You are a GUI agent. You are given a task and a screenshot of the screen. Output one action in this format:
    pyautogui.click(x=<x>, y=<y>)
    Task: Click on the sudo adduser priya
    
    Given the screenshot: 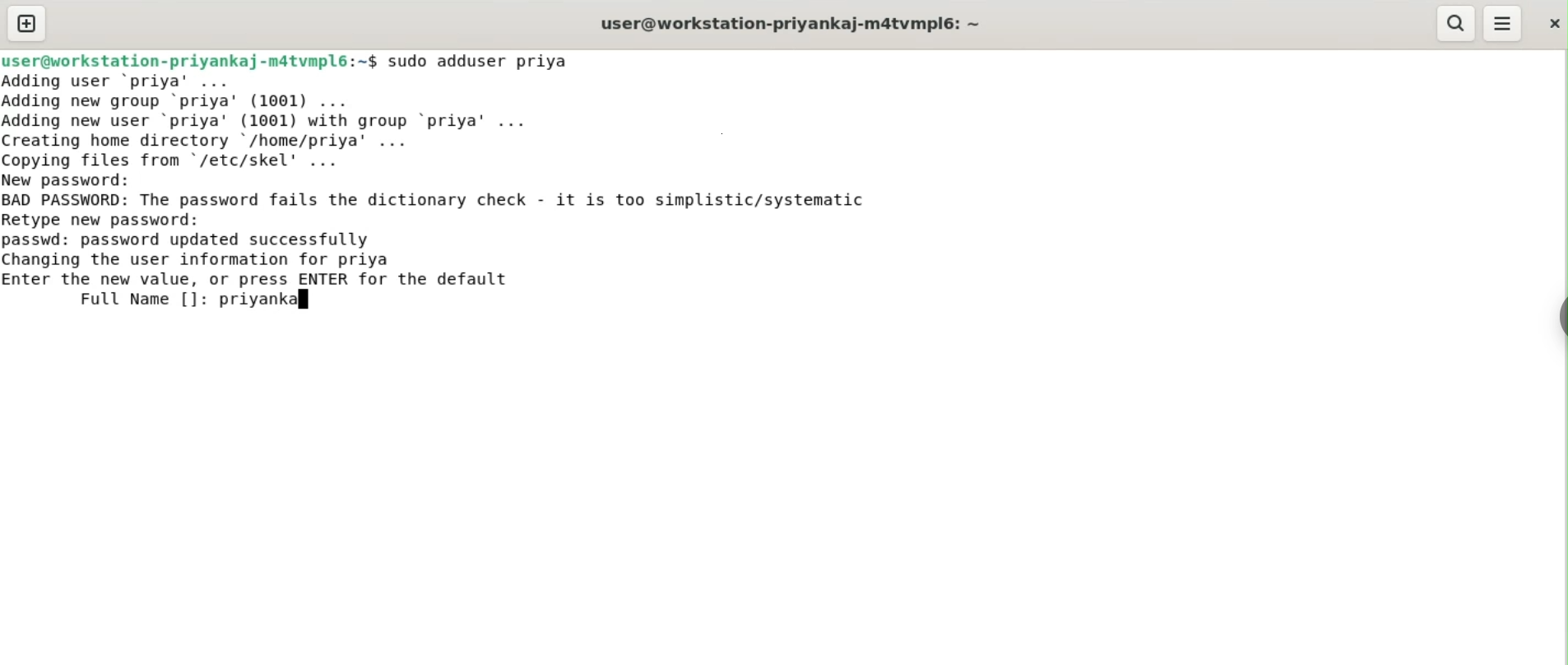 What is the action you would take?
    pyautogui.click(x=480, y=61)
    